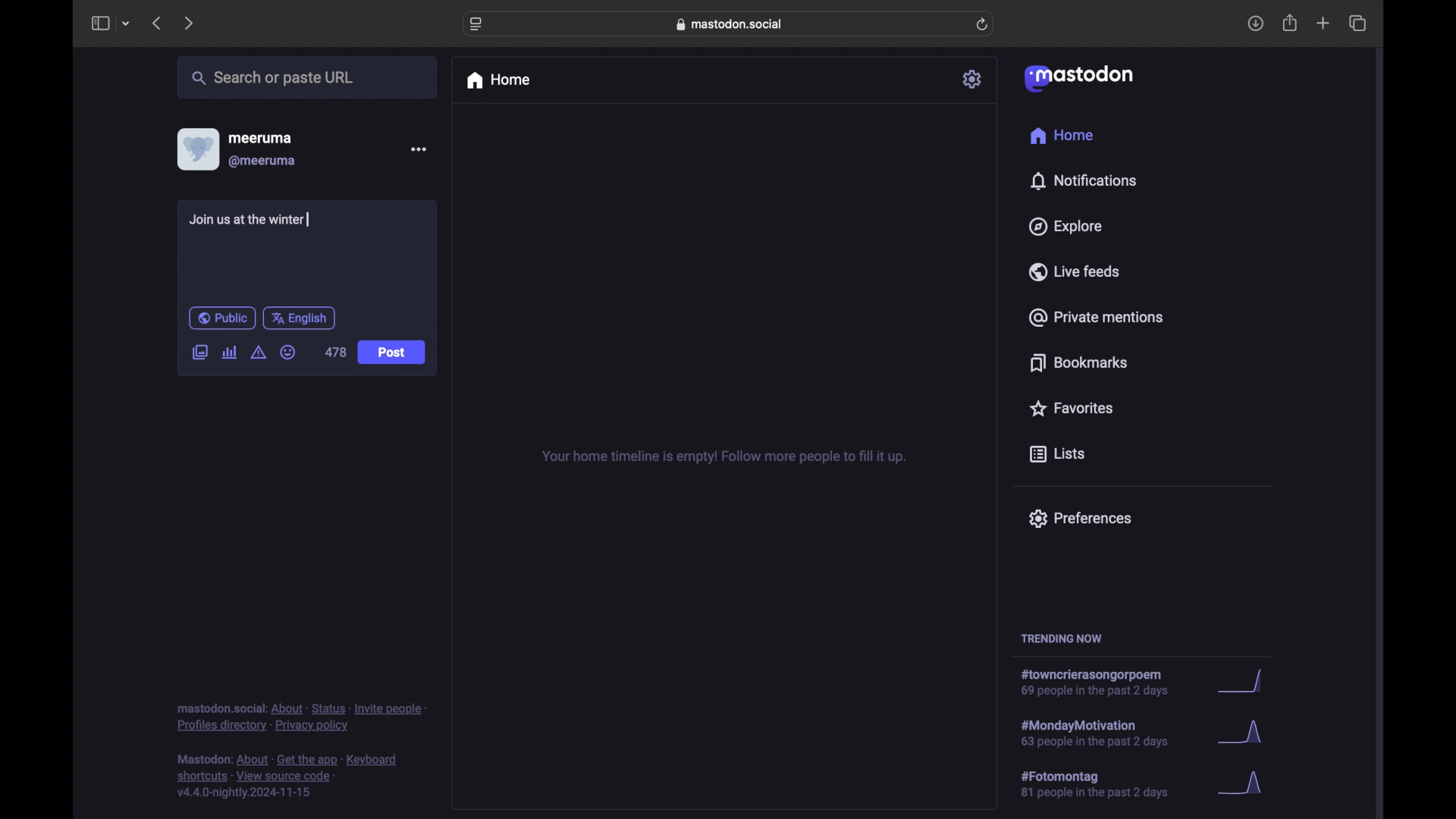 The height and width of the screenshot is (819, 1456). Describe the element at coordinates (290, 777) in the screenshot. I see `footnote` at that location.